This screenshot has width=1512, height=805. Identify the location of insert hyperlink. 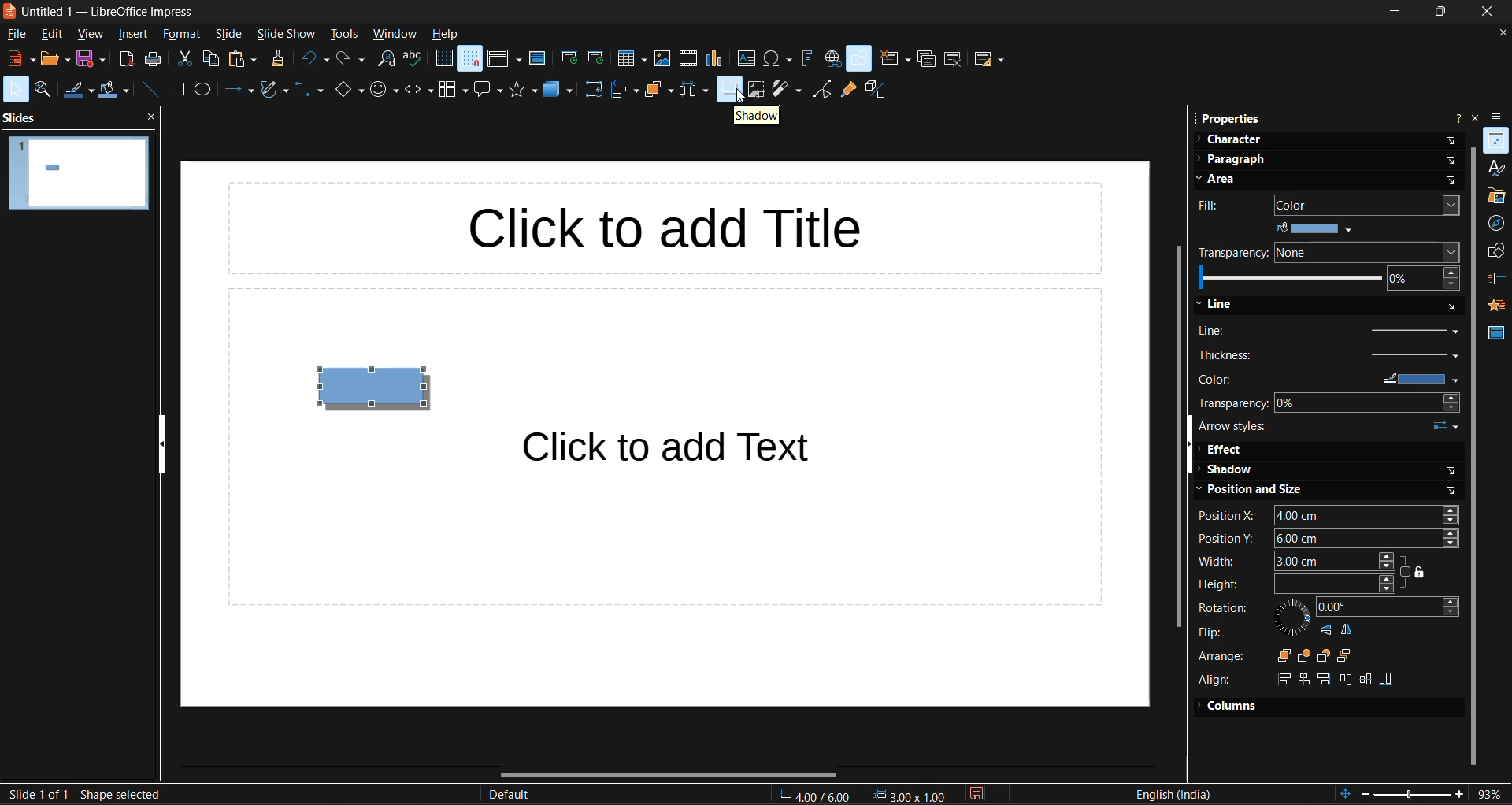
(829, 60).